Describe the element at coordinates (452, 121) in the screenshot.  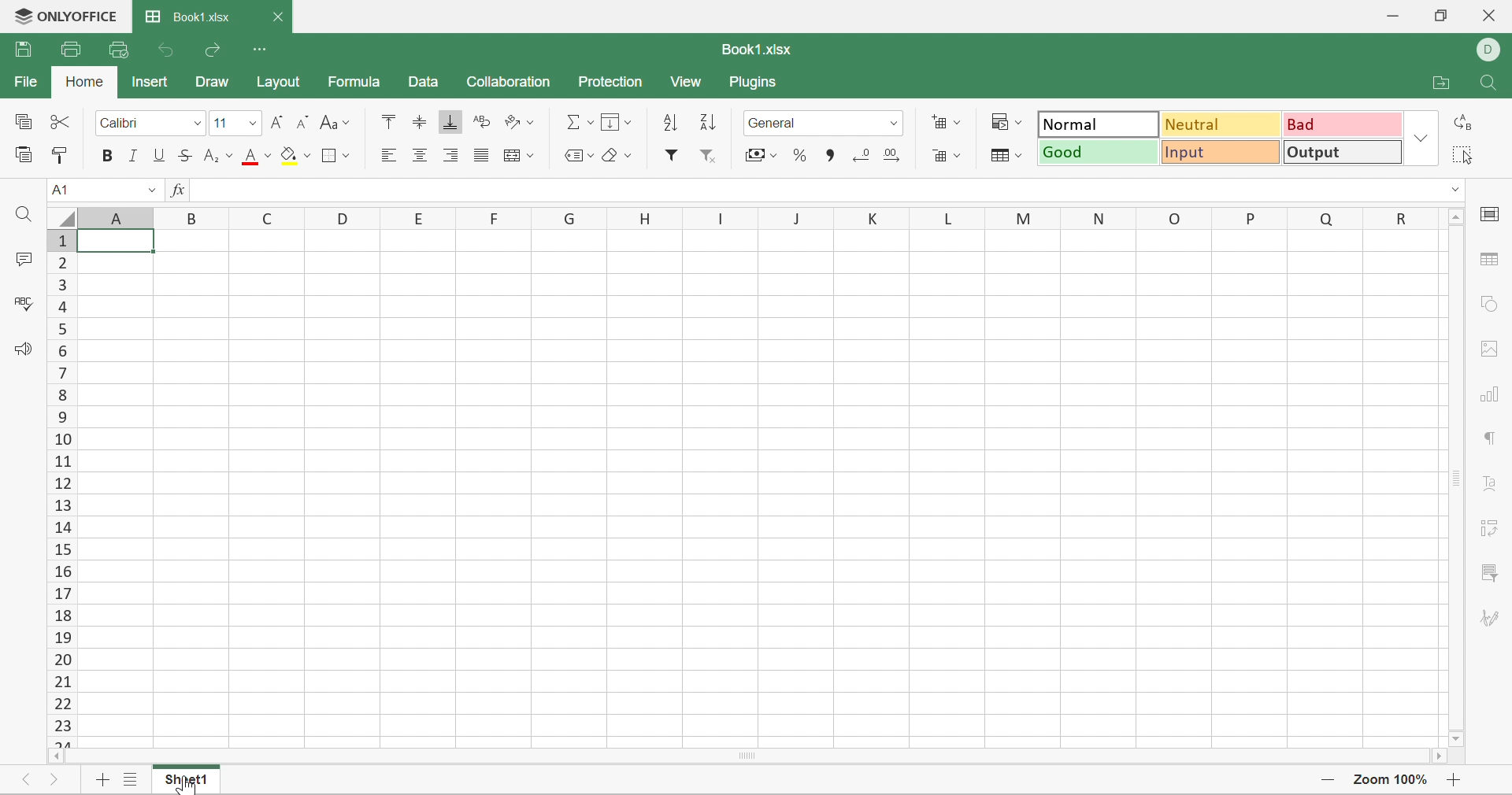
I see `Align Bottom` at that location.